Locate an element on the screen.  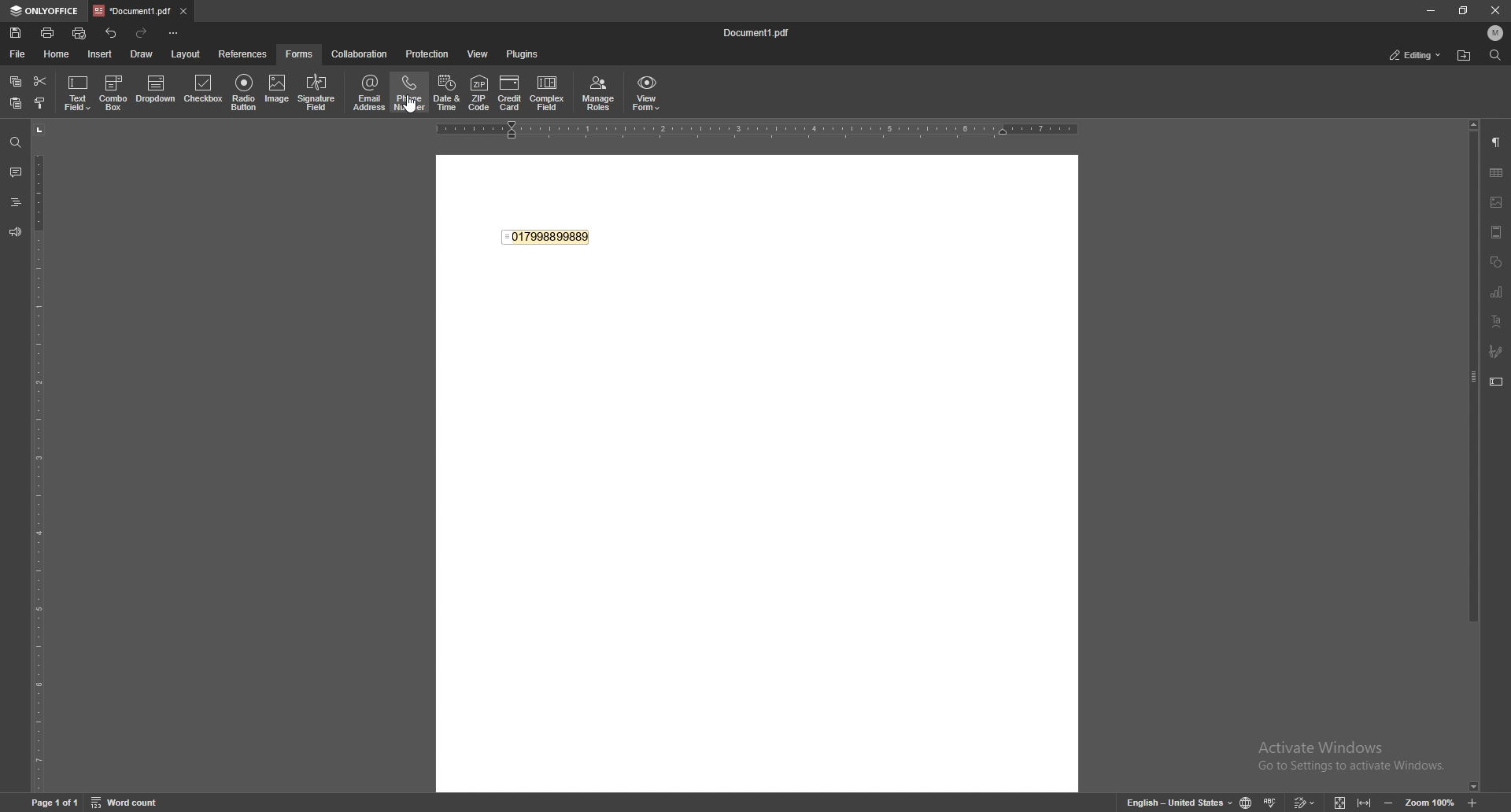
onlyoffice is located at coordinates (46, 11).